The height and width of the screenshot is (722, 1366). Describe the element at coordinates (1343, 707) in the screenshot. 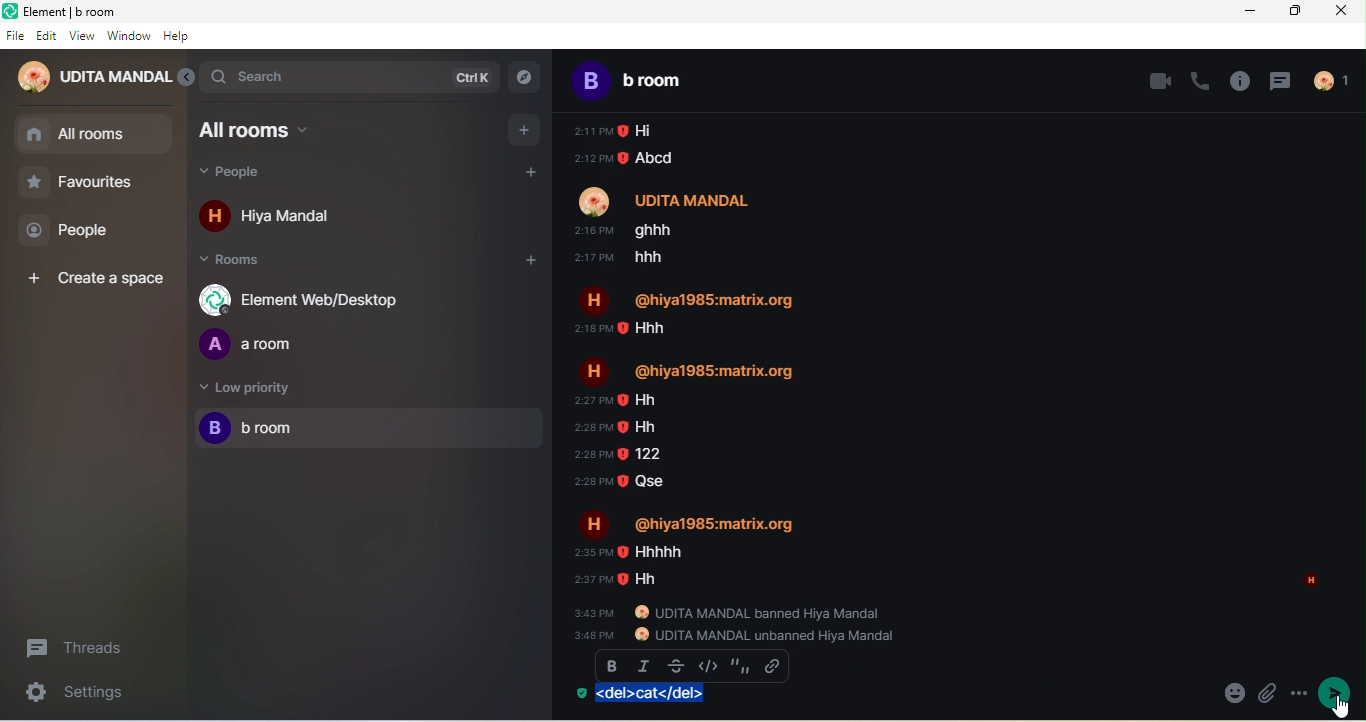

I see `cursor movement` at that location.